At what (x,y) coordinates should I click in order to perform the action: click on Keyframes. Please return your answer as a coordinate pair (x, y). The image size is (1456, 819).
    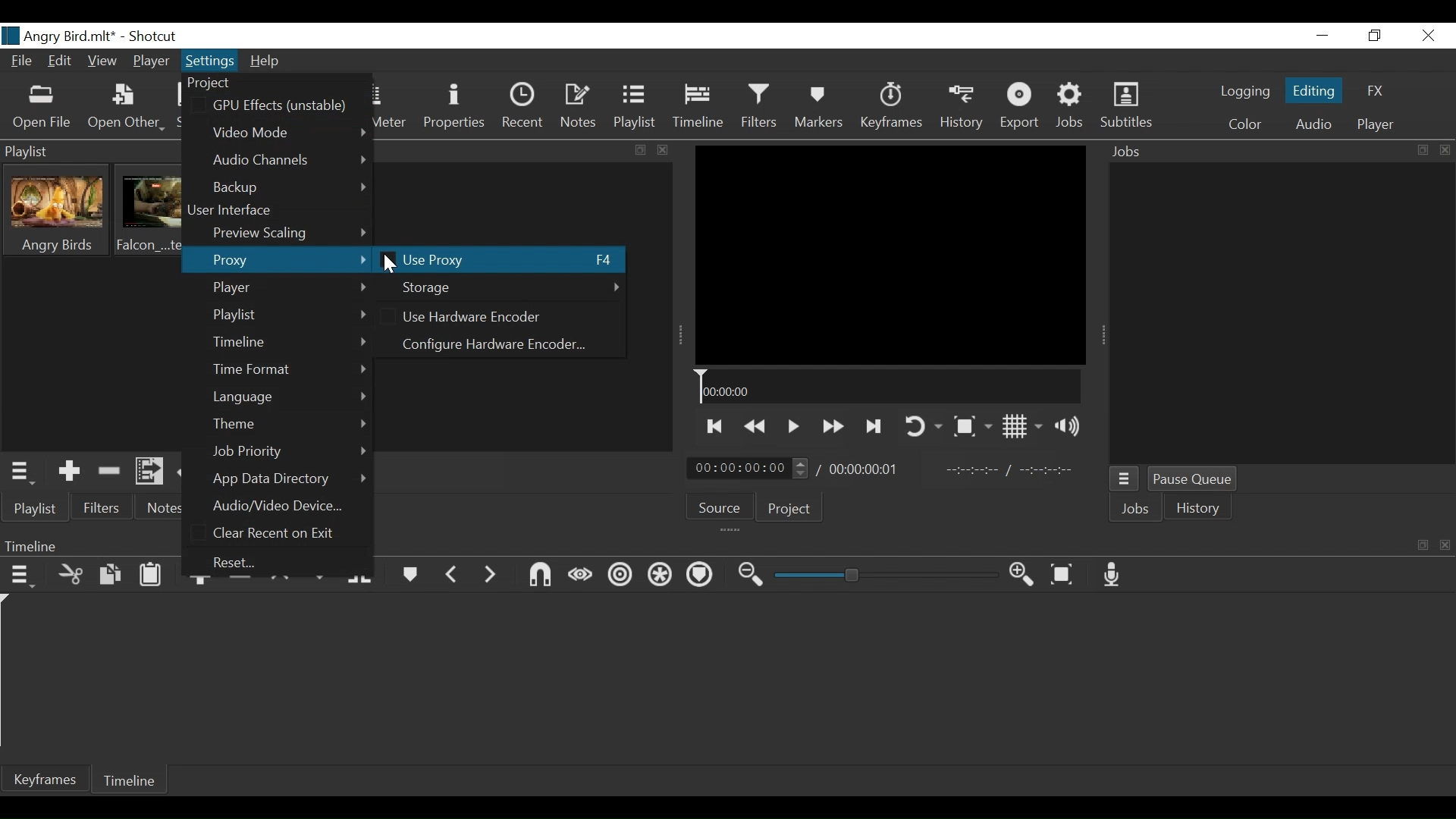
    Looking at the image, I should click on (890, 108).